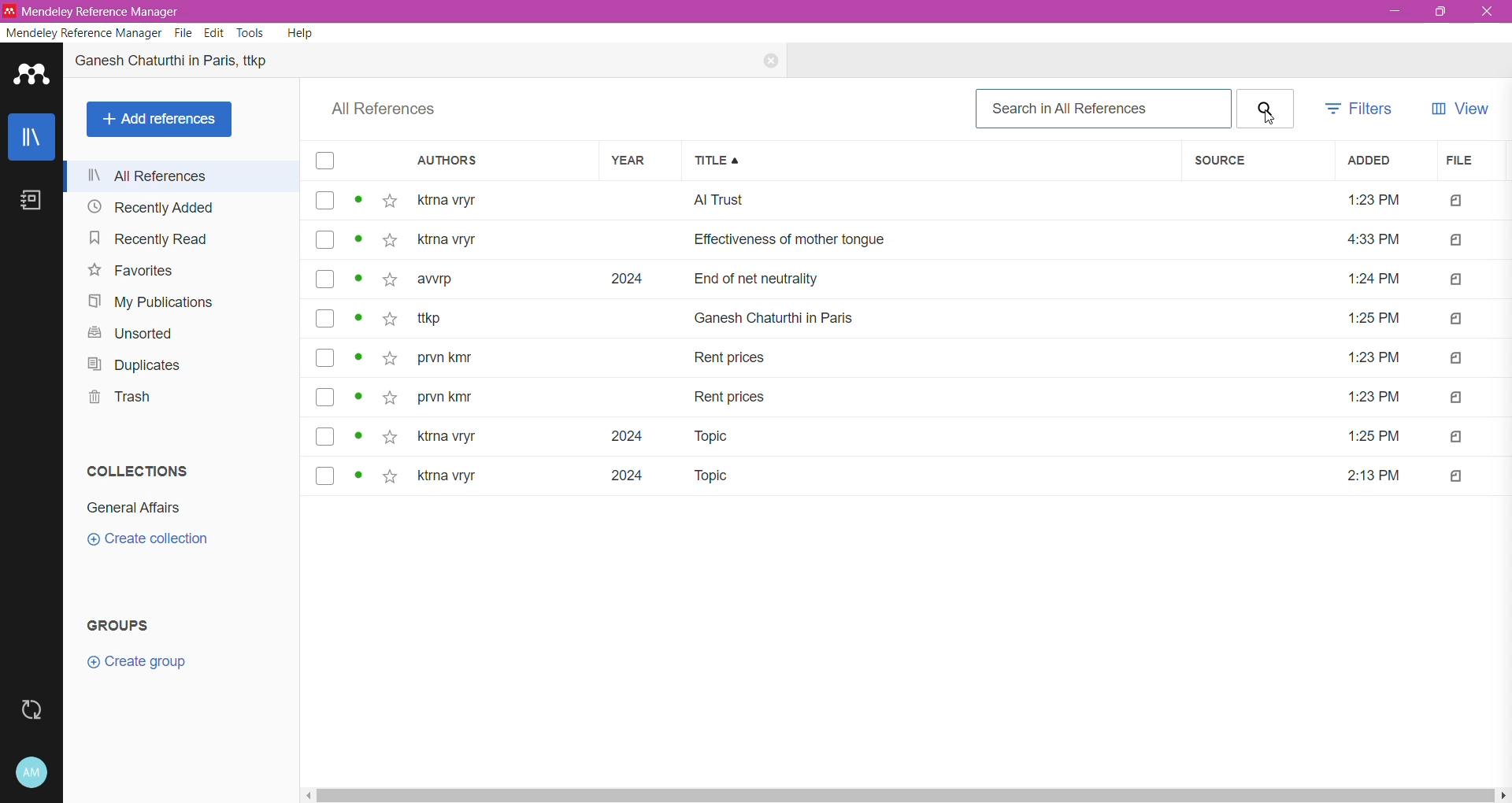  Describe the element at coordinates (1362, 109) in the screenshot. I see `Filters` at that location.